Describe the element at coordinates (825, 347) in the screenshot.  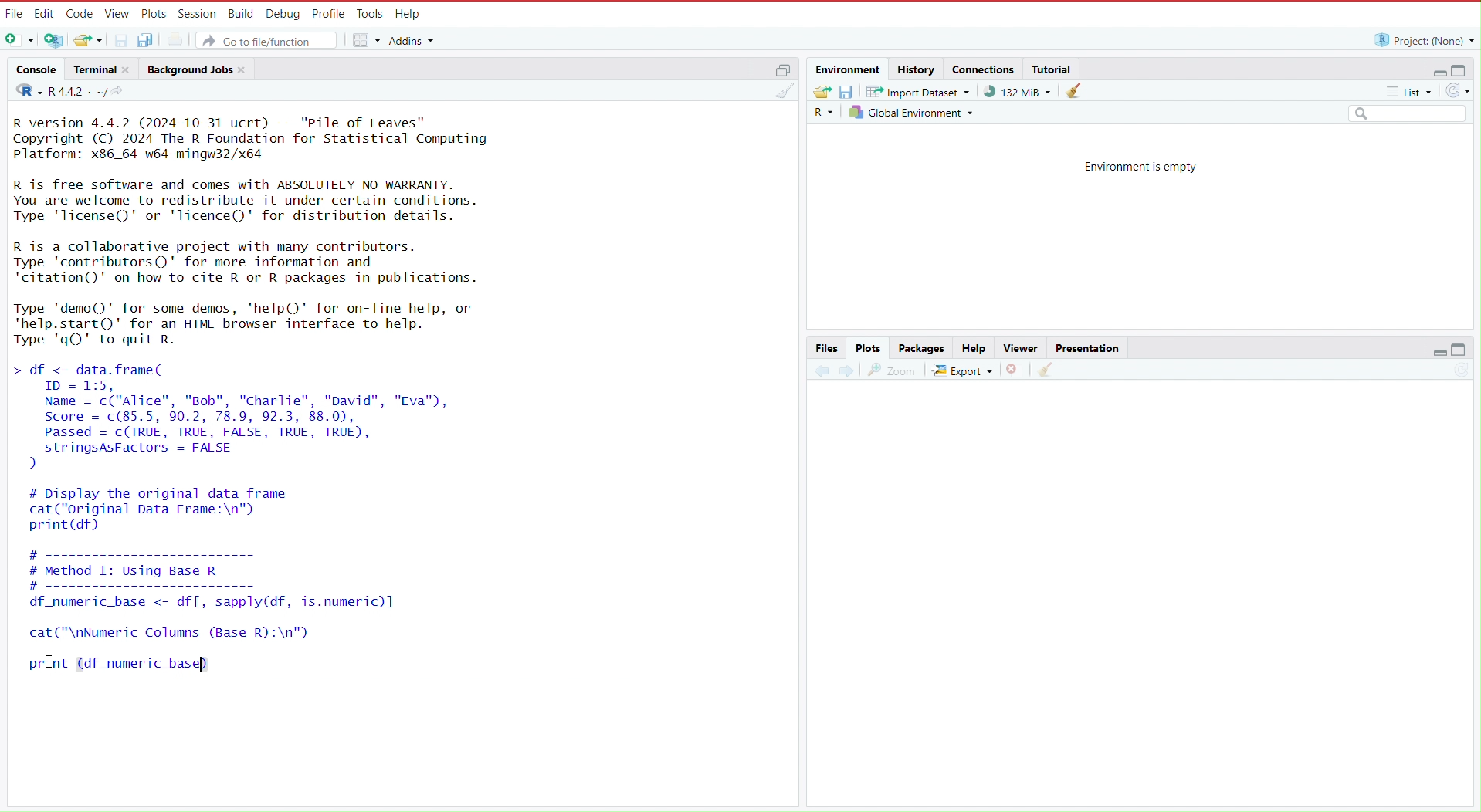
I see `Files` at that location.